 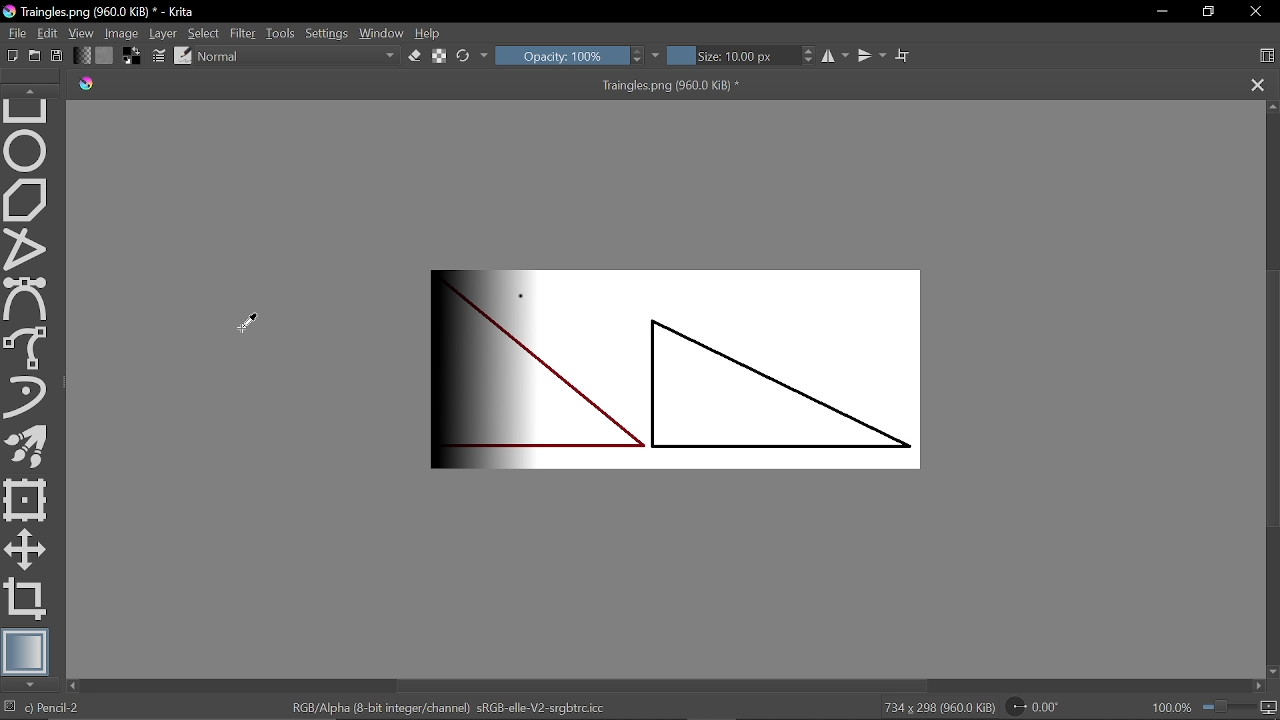 I want to click on Move tool, so click(x=25, y=549).